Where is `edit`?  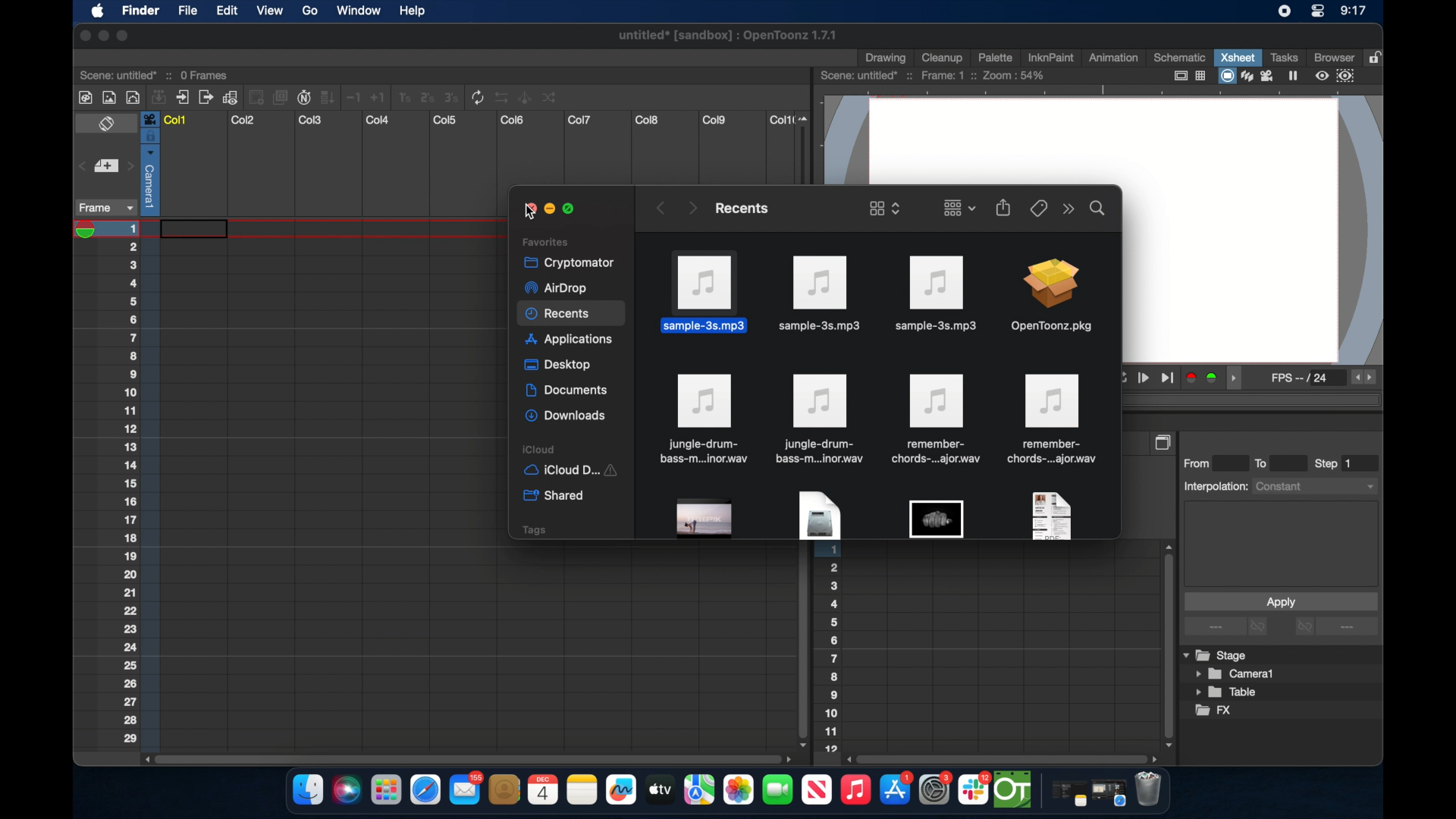 edit is located at coordinates (226, 11).